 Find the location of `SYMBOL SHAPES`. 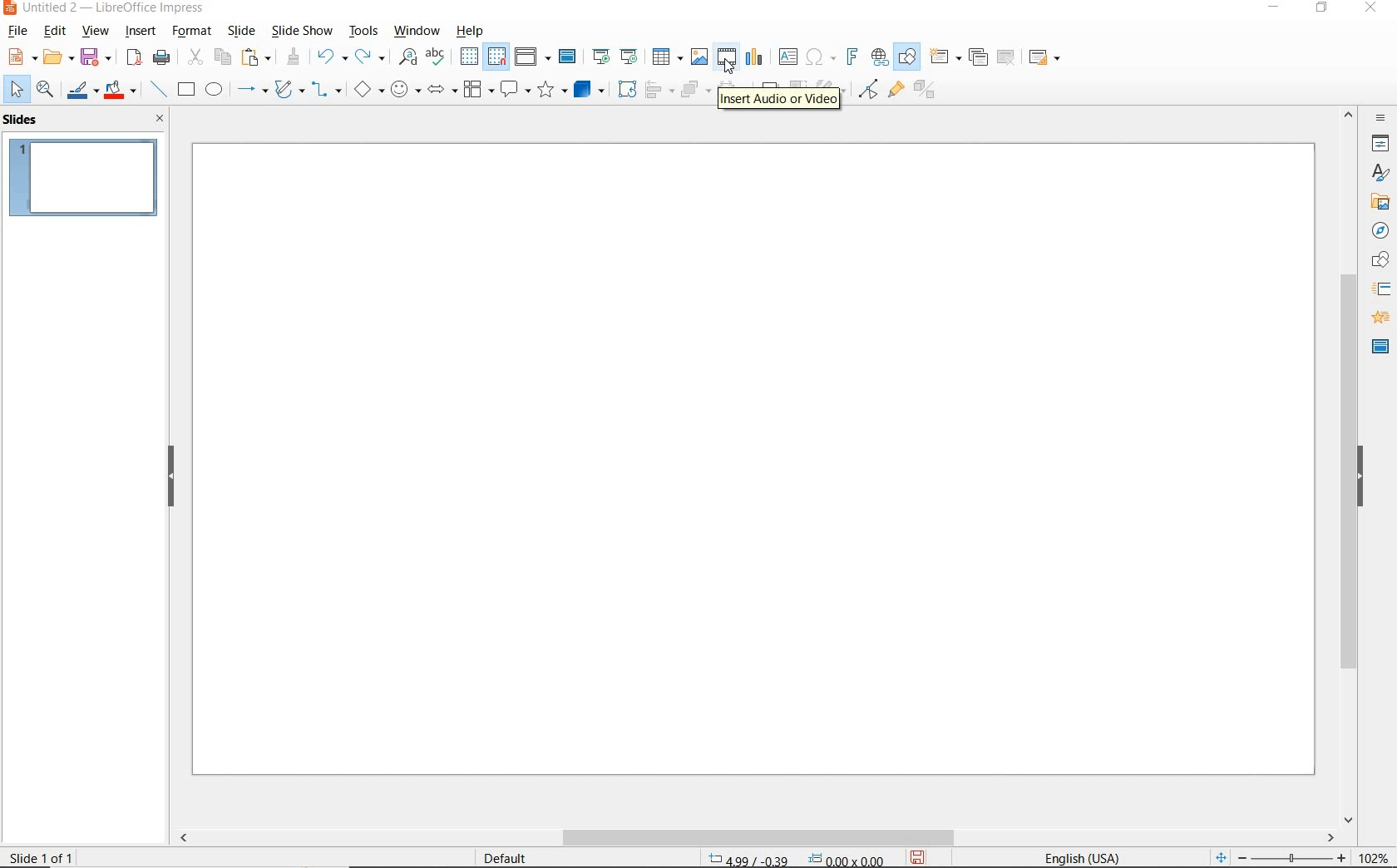

SYMBOL SHAPES is located at coordinates (406, 89).